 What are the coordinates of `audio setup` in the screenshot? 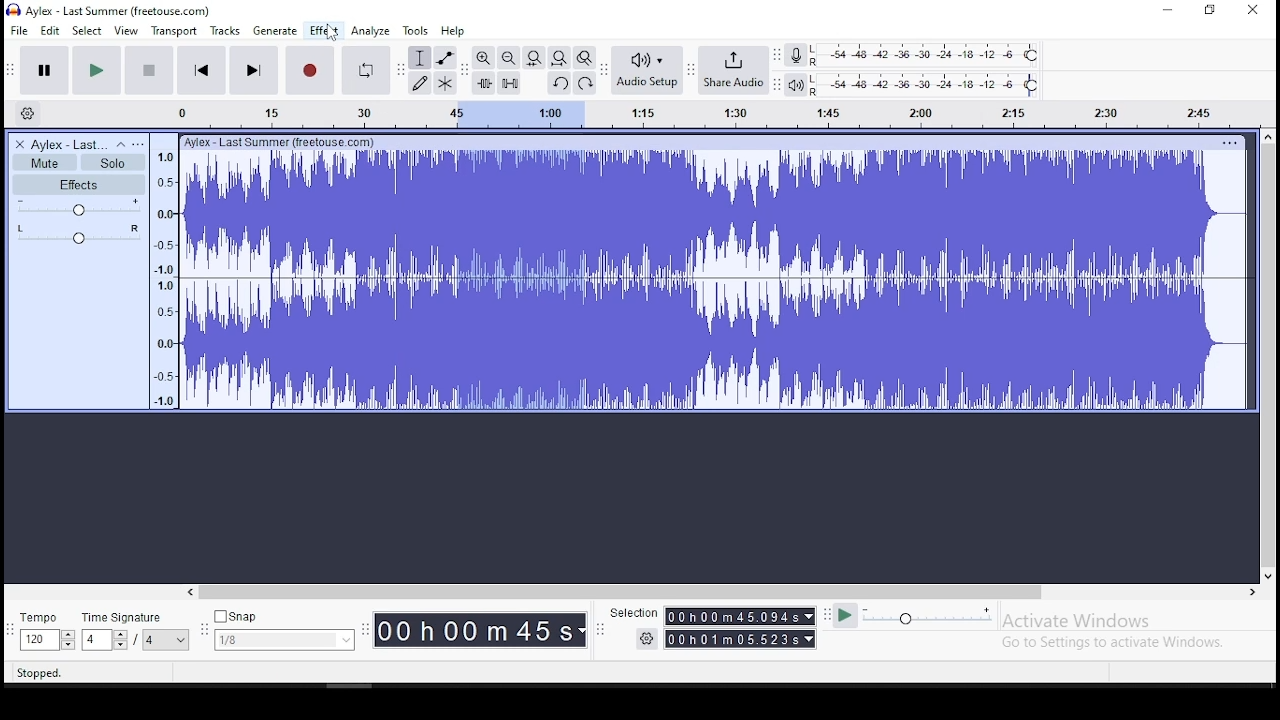 It's located at (648, 70).